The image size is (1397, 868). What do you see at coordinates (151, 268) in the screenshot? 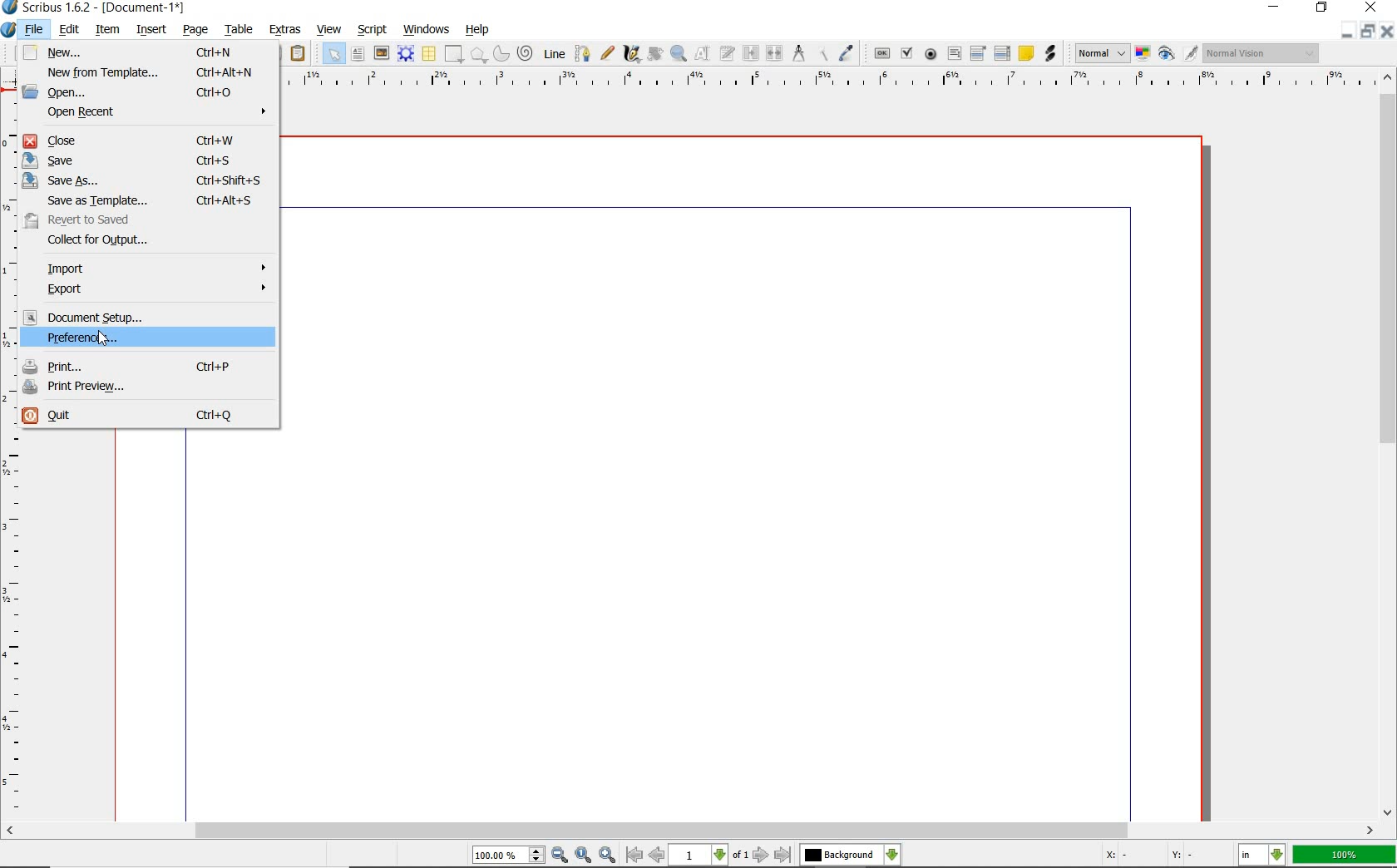
I see `IMPORT` at bounding box center [151, 268].